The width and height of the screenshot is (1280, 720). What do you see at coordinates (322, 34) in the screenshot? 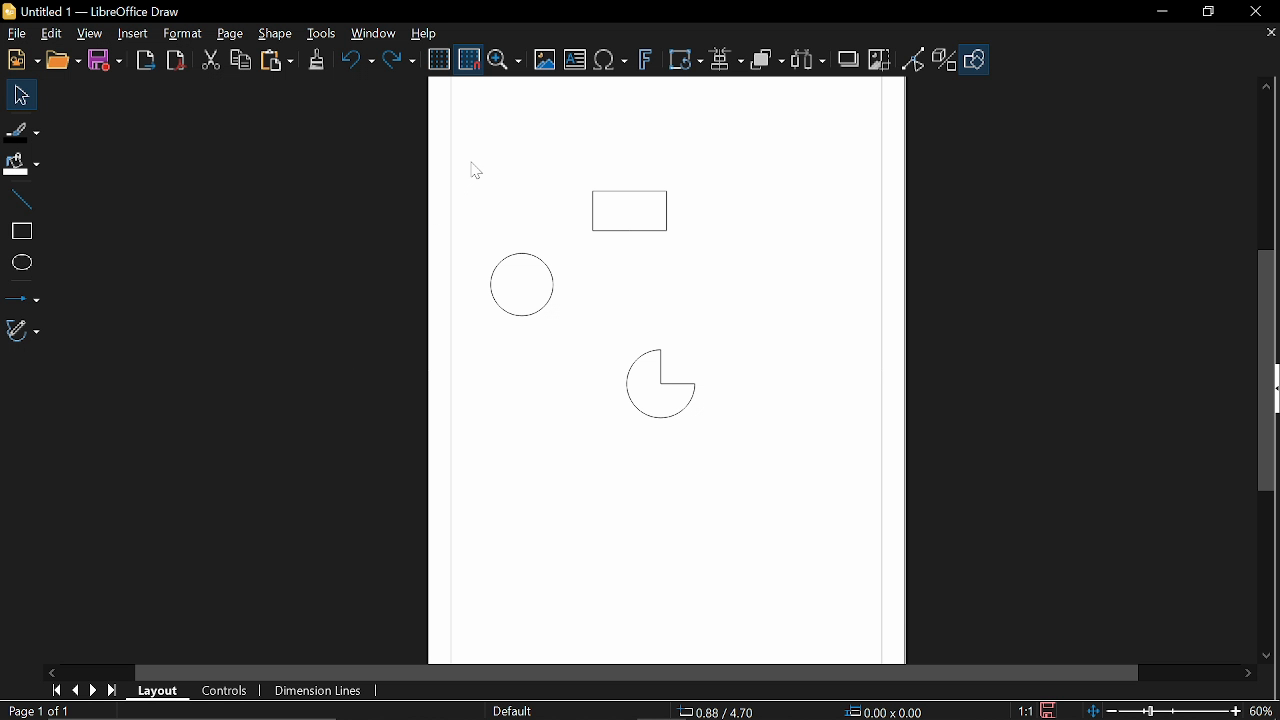
I see `Tools` at bounding box center [322, 34].